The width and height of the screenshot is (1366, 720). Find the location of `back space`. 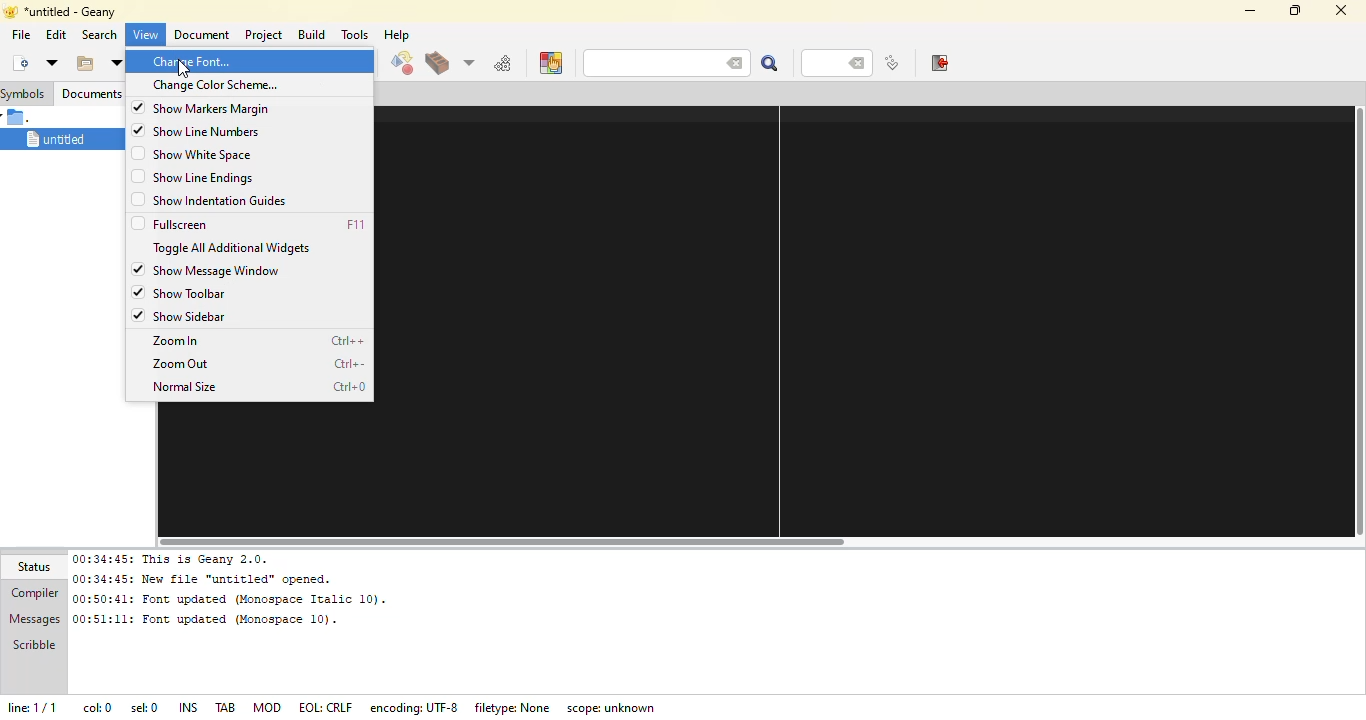

back space is located at coordinates (730, 61).